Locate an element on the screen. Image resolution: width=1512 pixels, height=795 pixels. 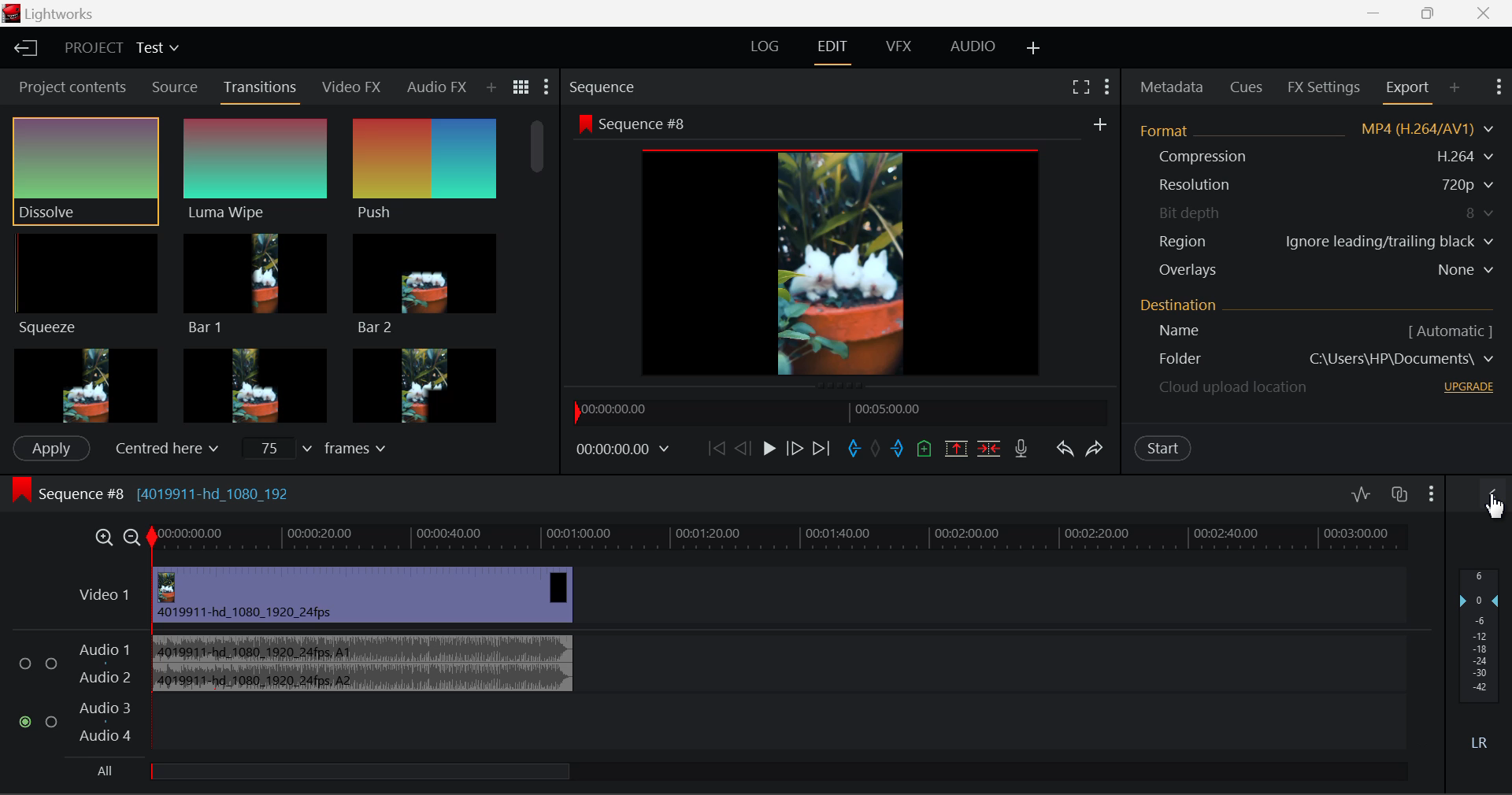
Start is located at coordinates (1164, 448).